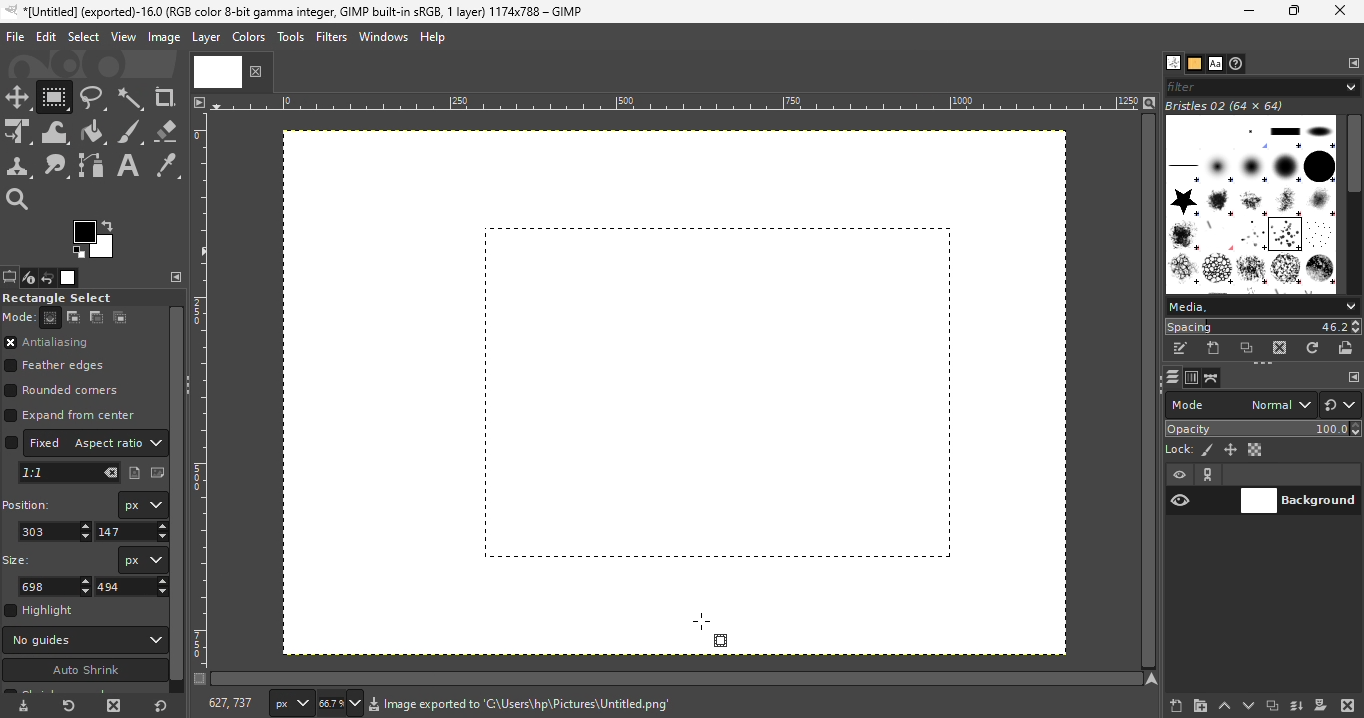  Describe the element at coordinates (63, 342) in the screenshot. I see `Antialiasing` at that location.